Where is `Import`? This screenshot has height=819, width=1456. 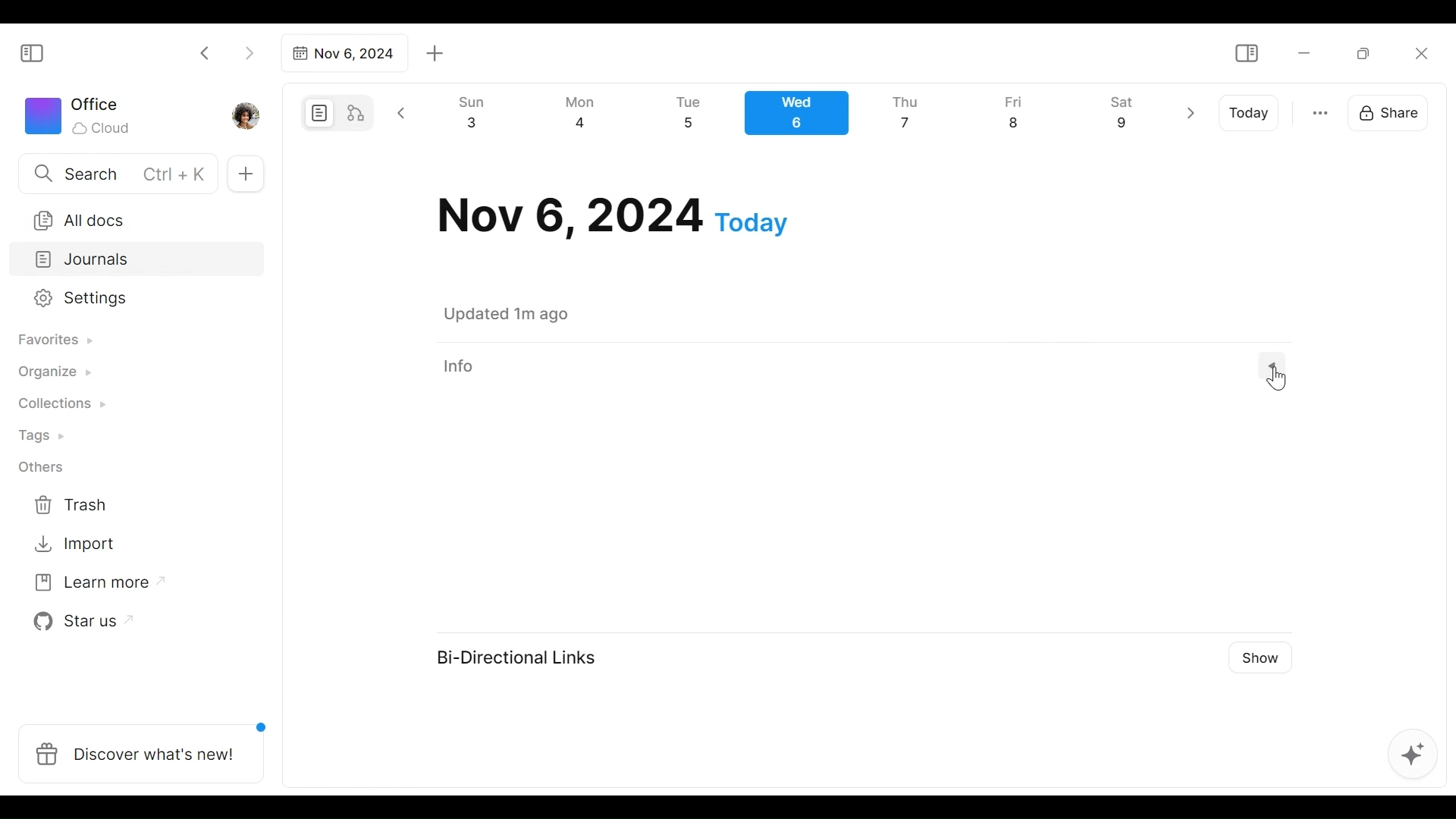 Import is located at coordinates (77, 542).